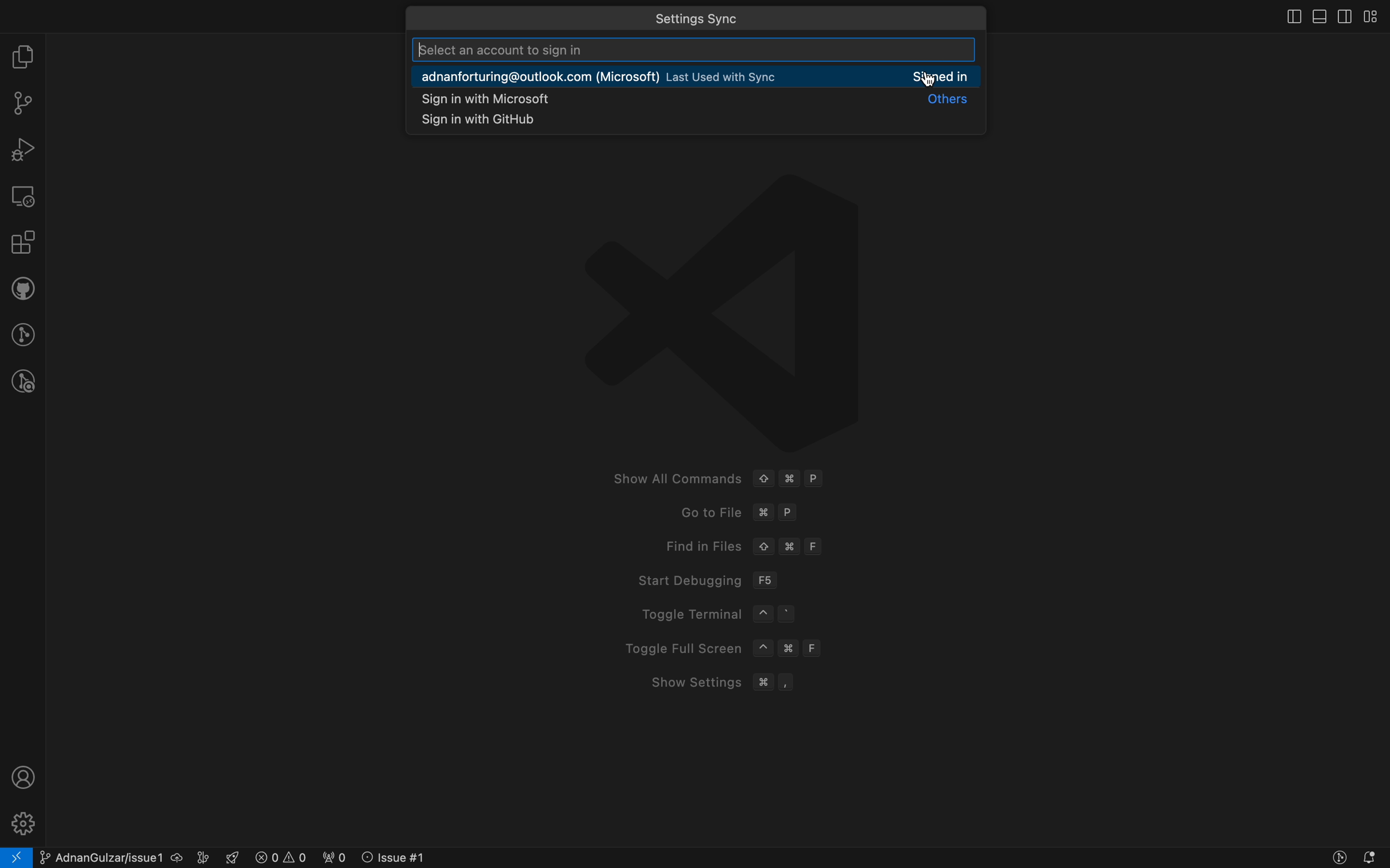 This screenshot has height=868, width=1390. I want to click on debugger, so click(23, 149).